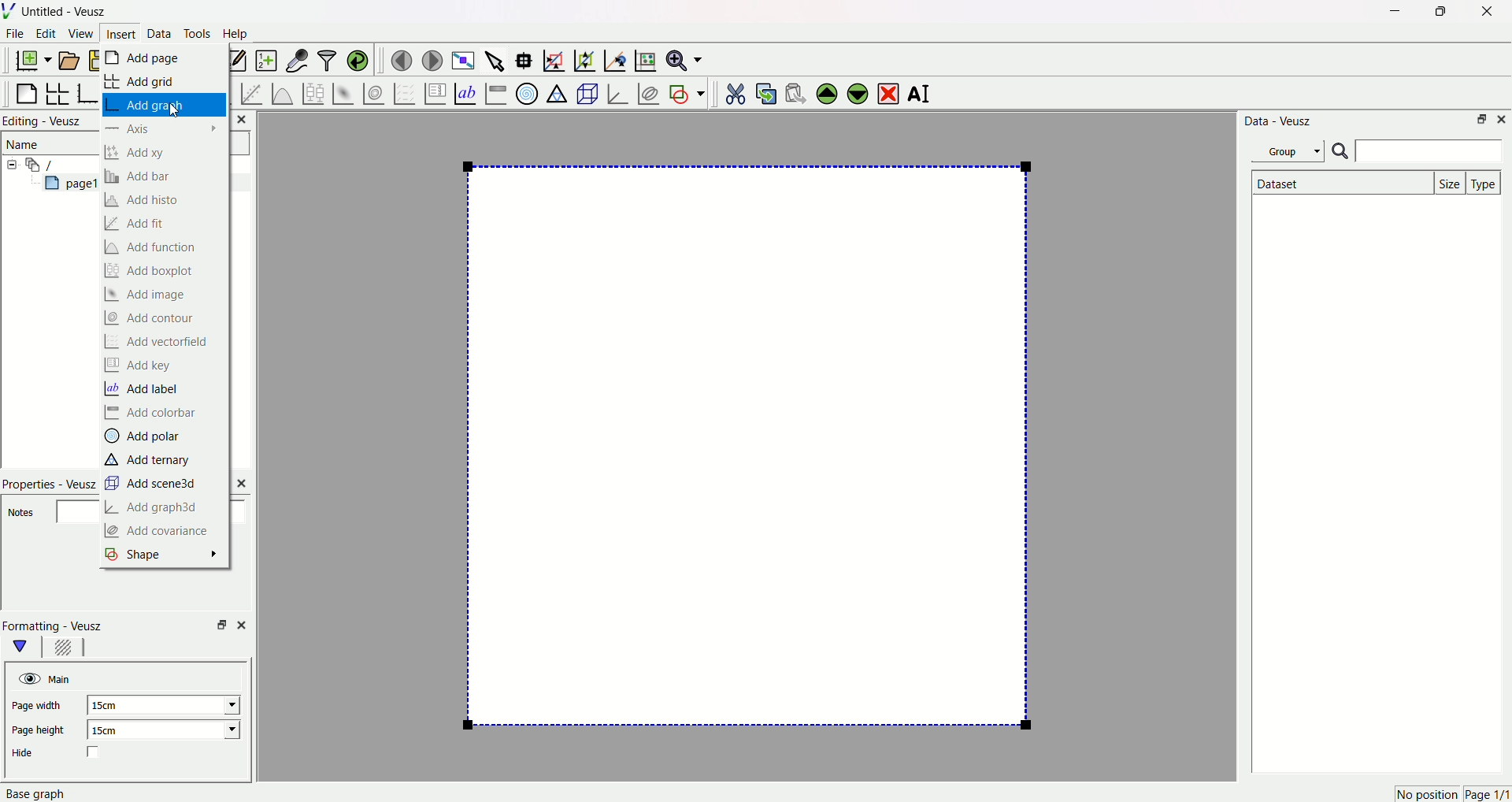  What do you see at coordinates (12, 12) in the screenshot?
I see `Logo` at bounding box center [12, 12].